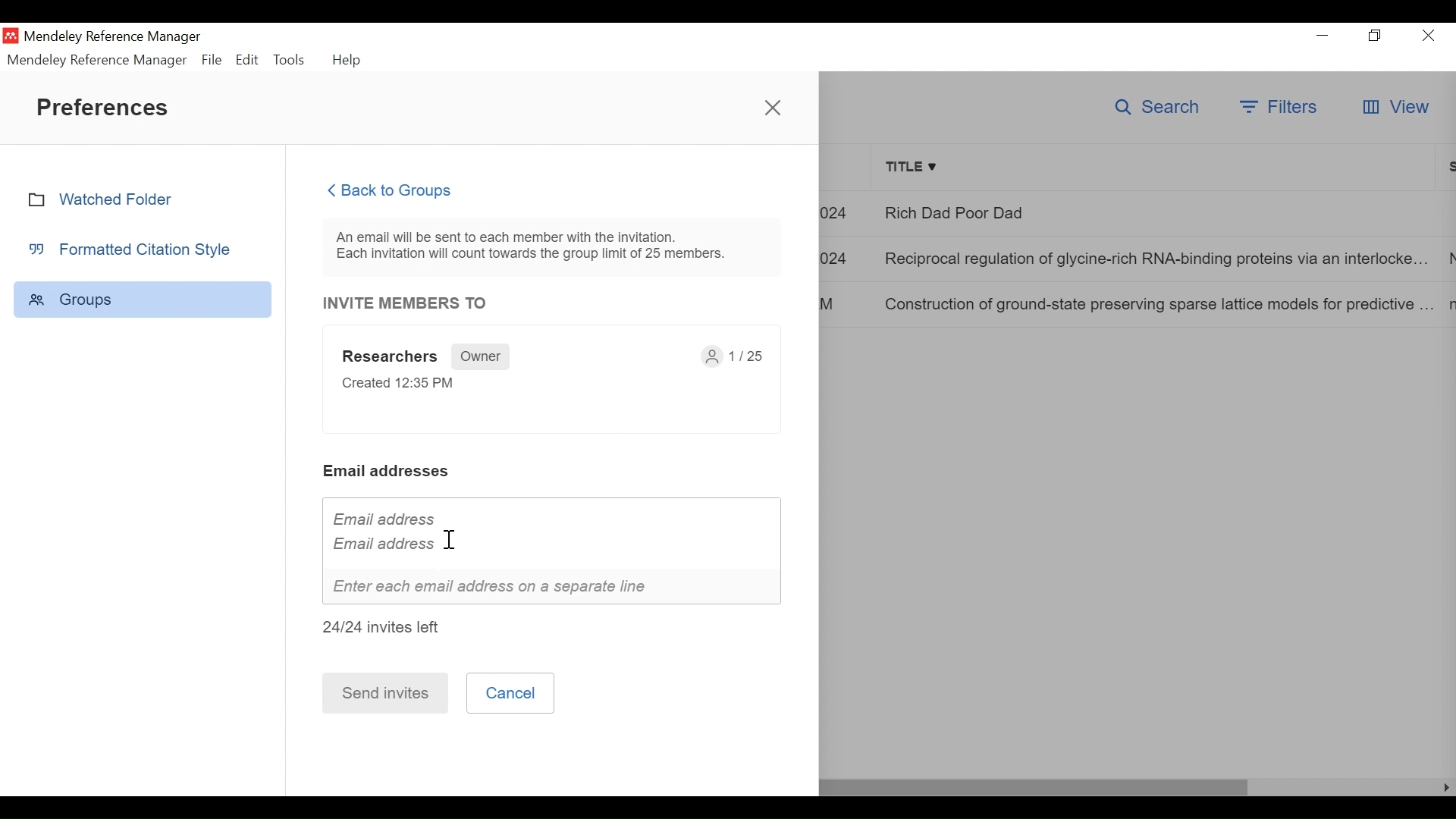 This screenshot has height=819, width=1456. I want to click on Researchers, so click(391, 358).